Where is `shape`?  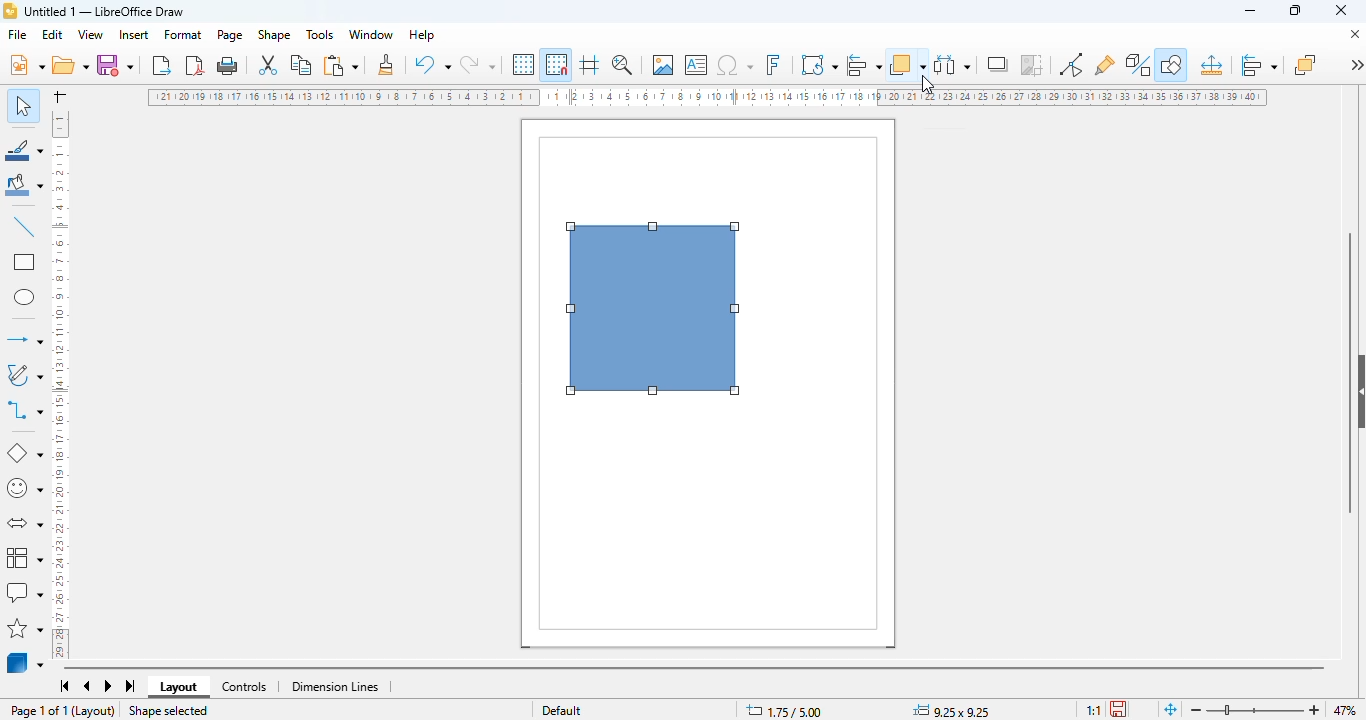
shape is located at coordinates (274, 35).